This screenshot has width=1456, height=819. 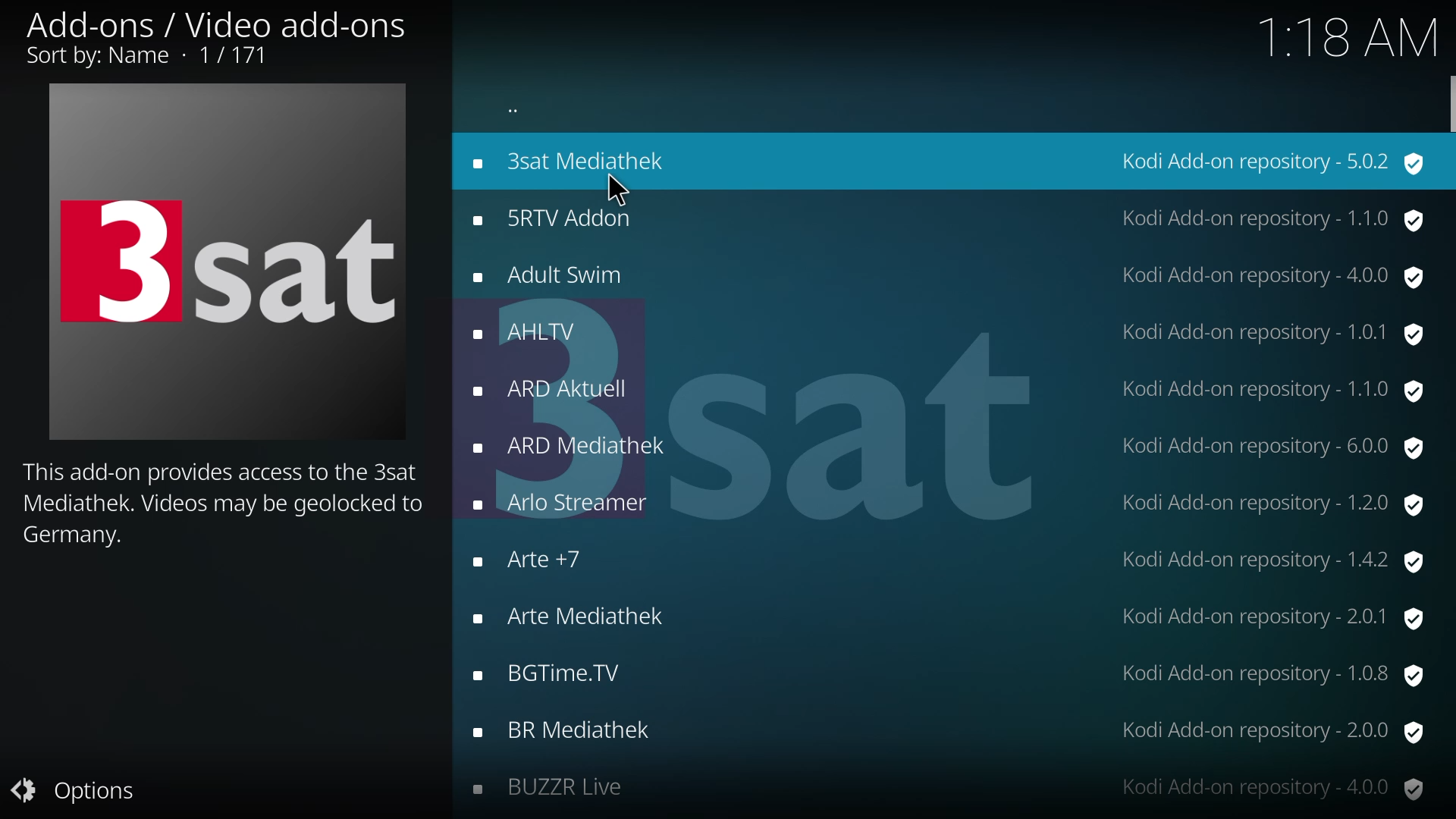 What do you see at coordinates (570, 619) in the screenshot?
I see `add-ons` at bounding box center [570, 619].